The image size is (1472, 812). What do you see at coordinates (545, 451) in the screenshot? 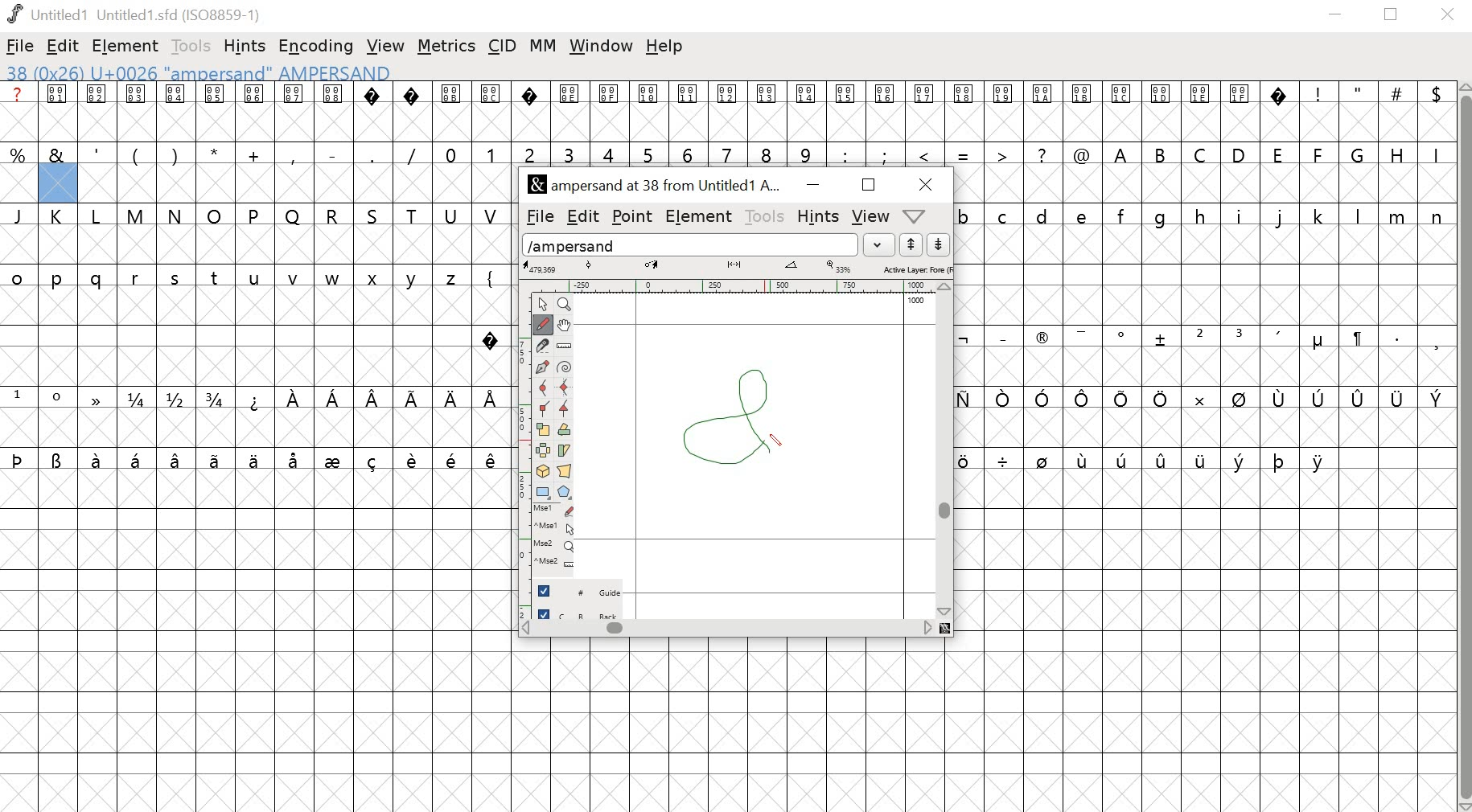
I see `flip the selection` at bounding box center [545, 451].